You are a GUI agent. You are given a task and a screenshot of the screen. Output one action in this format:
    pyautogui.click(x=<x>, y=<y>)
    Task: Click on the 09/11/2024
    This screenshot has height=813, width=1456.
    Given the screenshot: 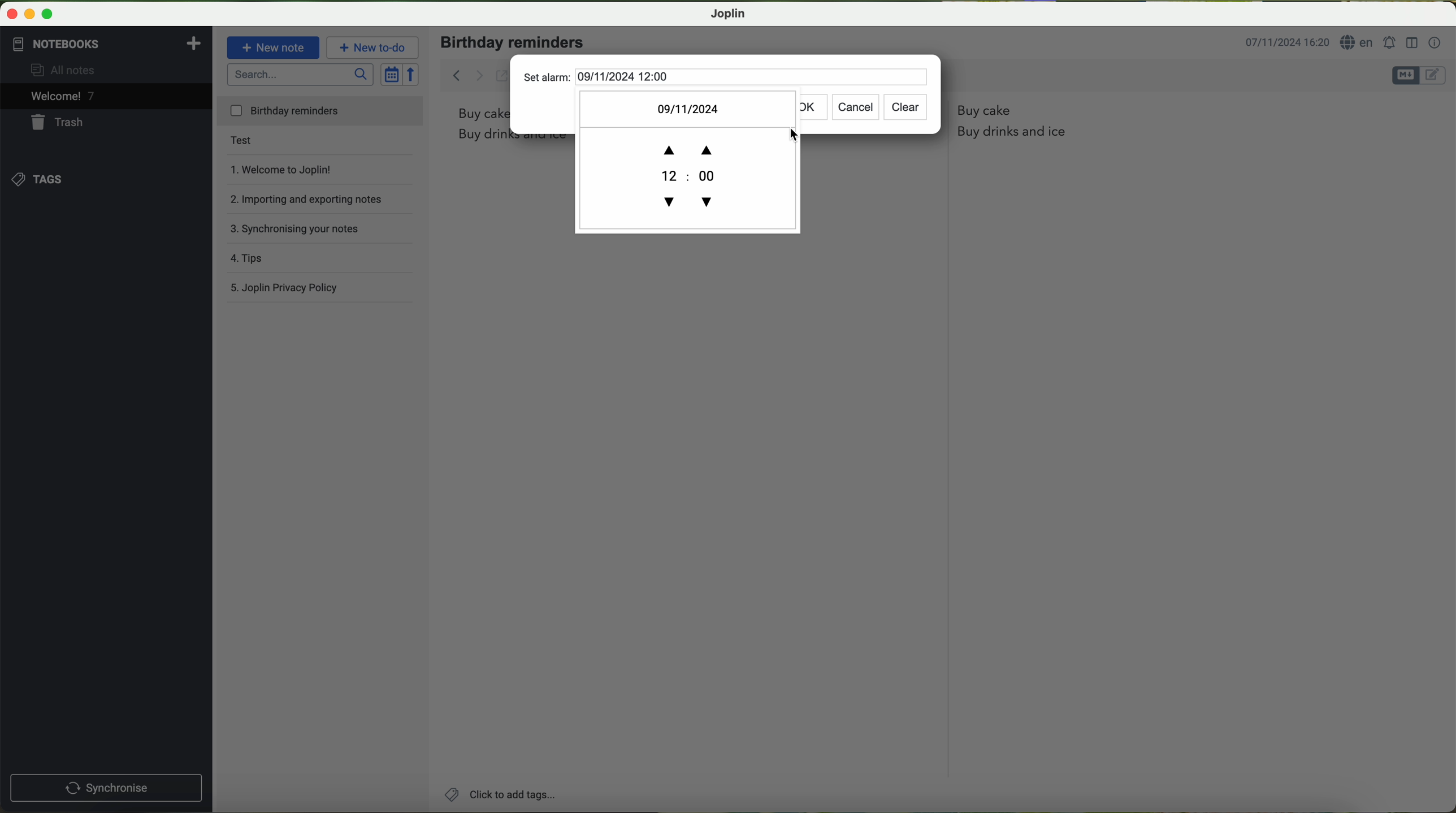 What is the action you would take?
    pyautogui.click(x=697, y=106)
    